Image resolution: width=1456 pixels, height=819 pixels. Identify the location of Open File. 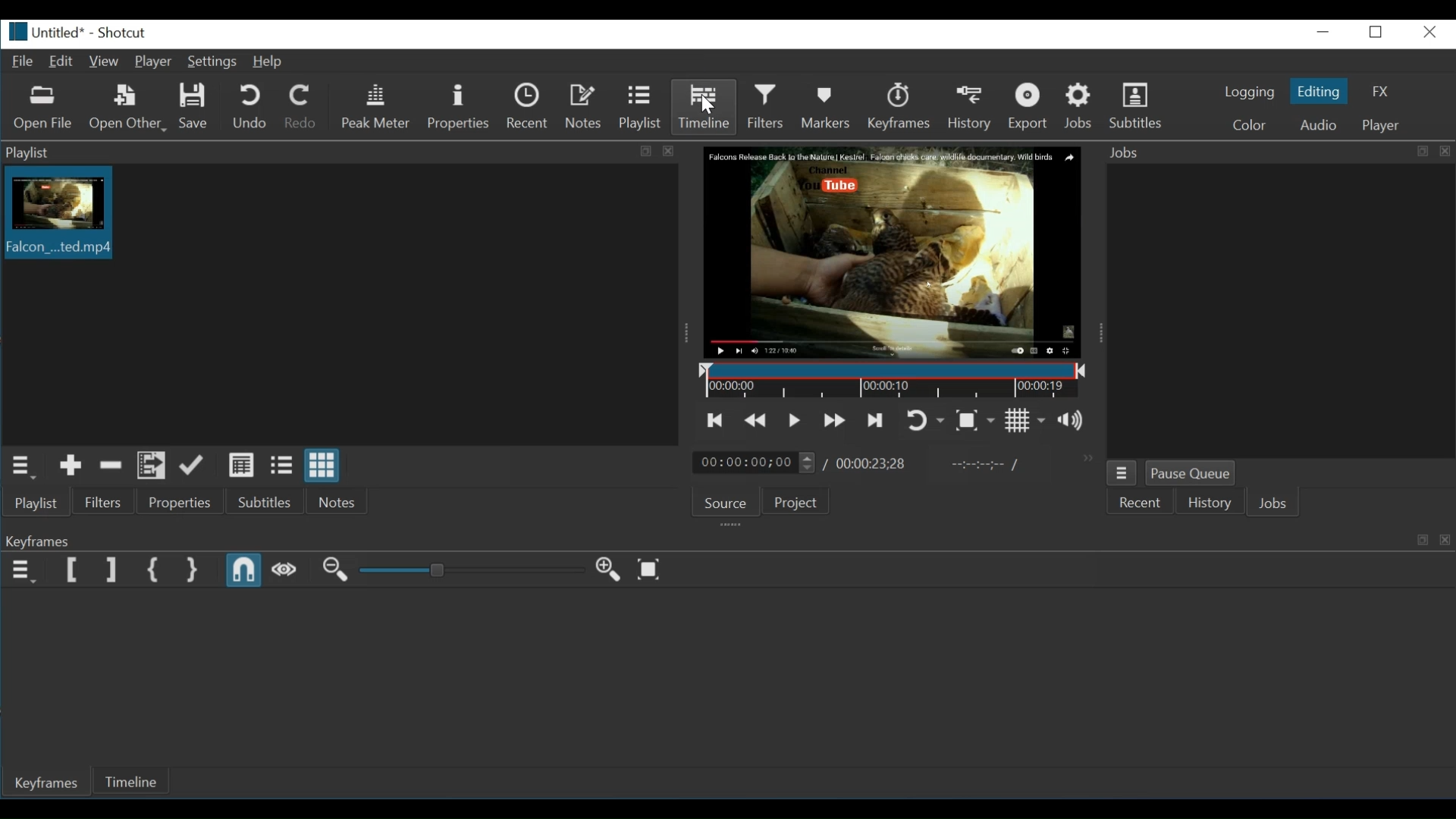
(43, 110).